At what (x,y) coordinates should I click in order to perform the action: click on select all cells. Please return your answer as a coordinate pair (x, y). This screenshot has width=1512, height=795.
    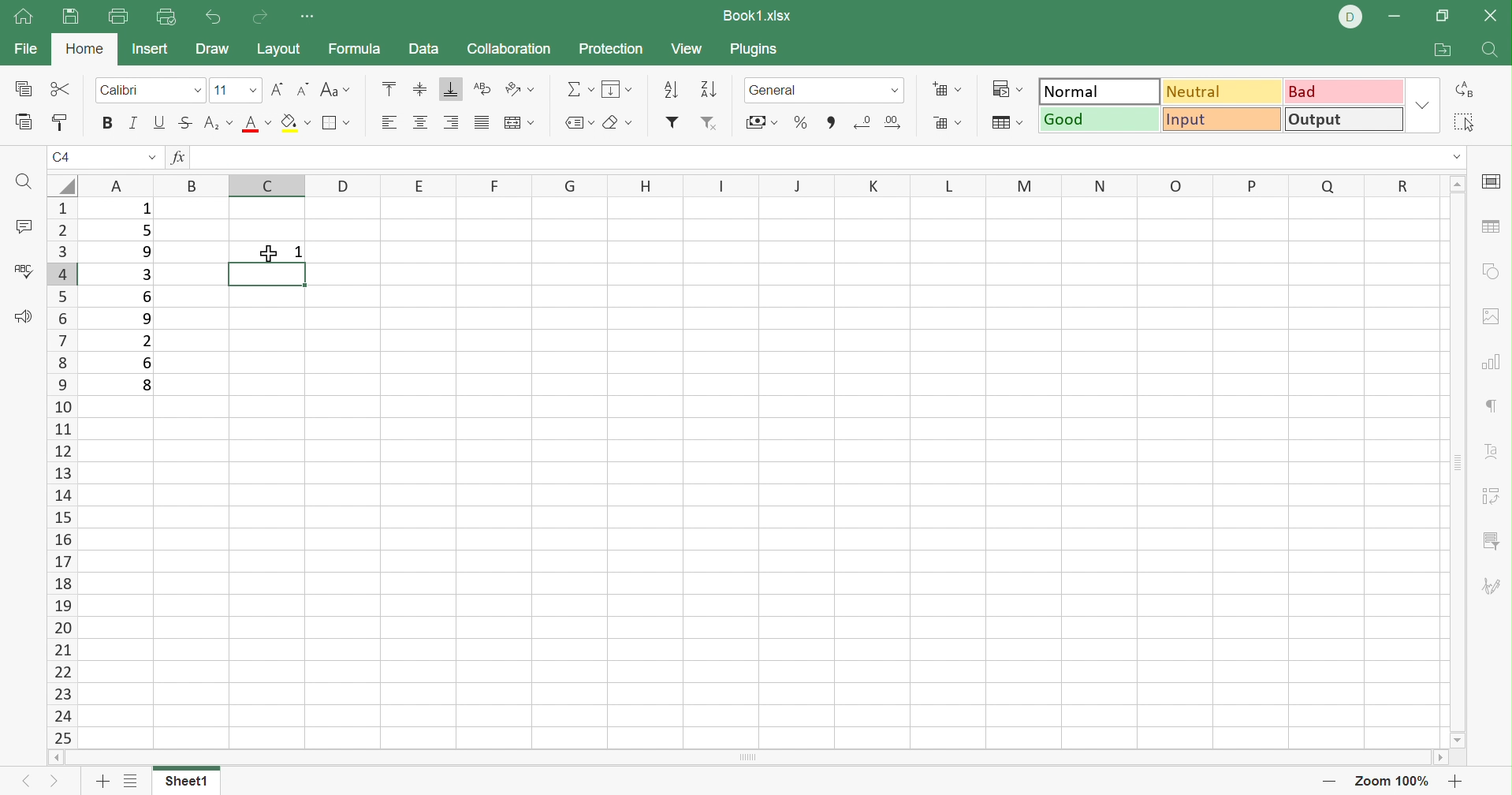
    Looking at the image, I should click on (60, 185).